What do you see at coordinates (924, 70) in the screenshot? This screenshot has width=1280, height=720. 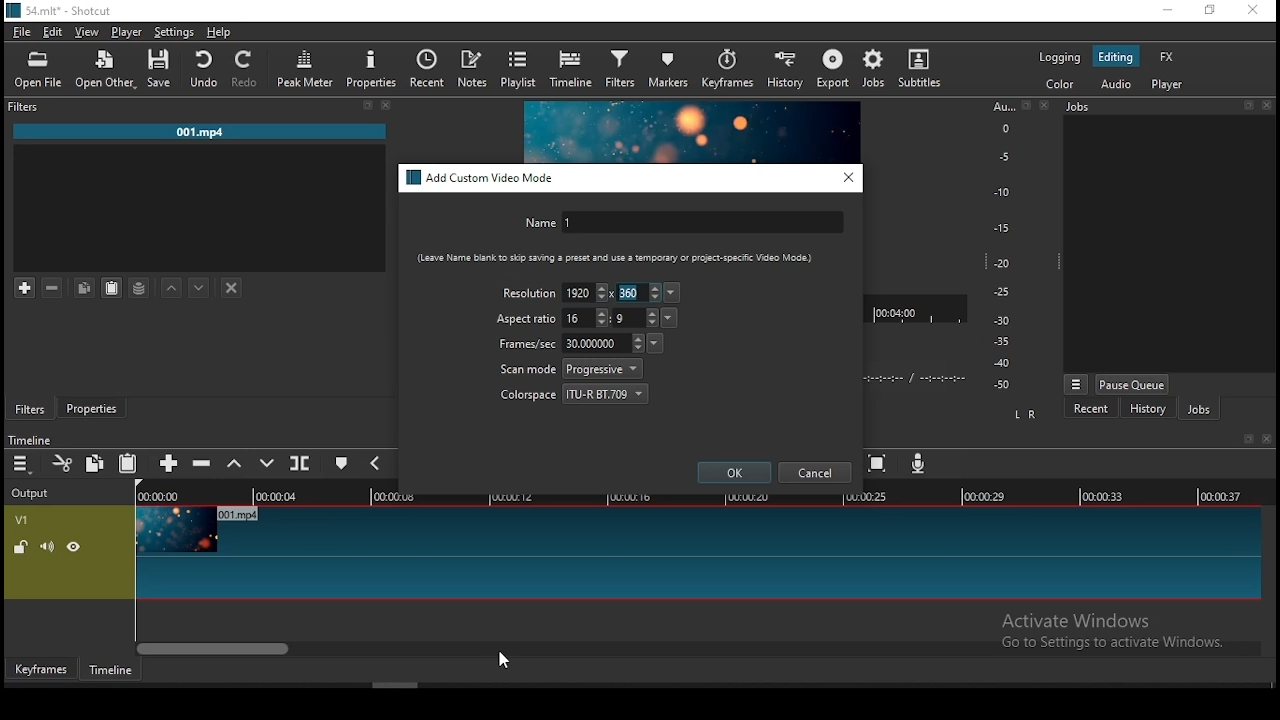 I see `subtitles` at bounding box center [924, 70].